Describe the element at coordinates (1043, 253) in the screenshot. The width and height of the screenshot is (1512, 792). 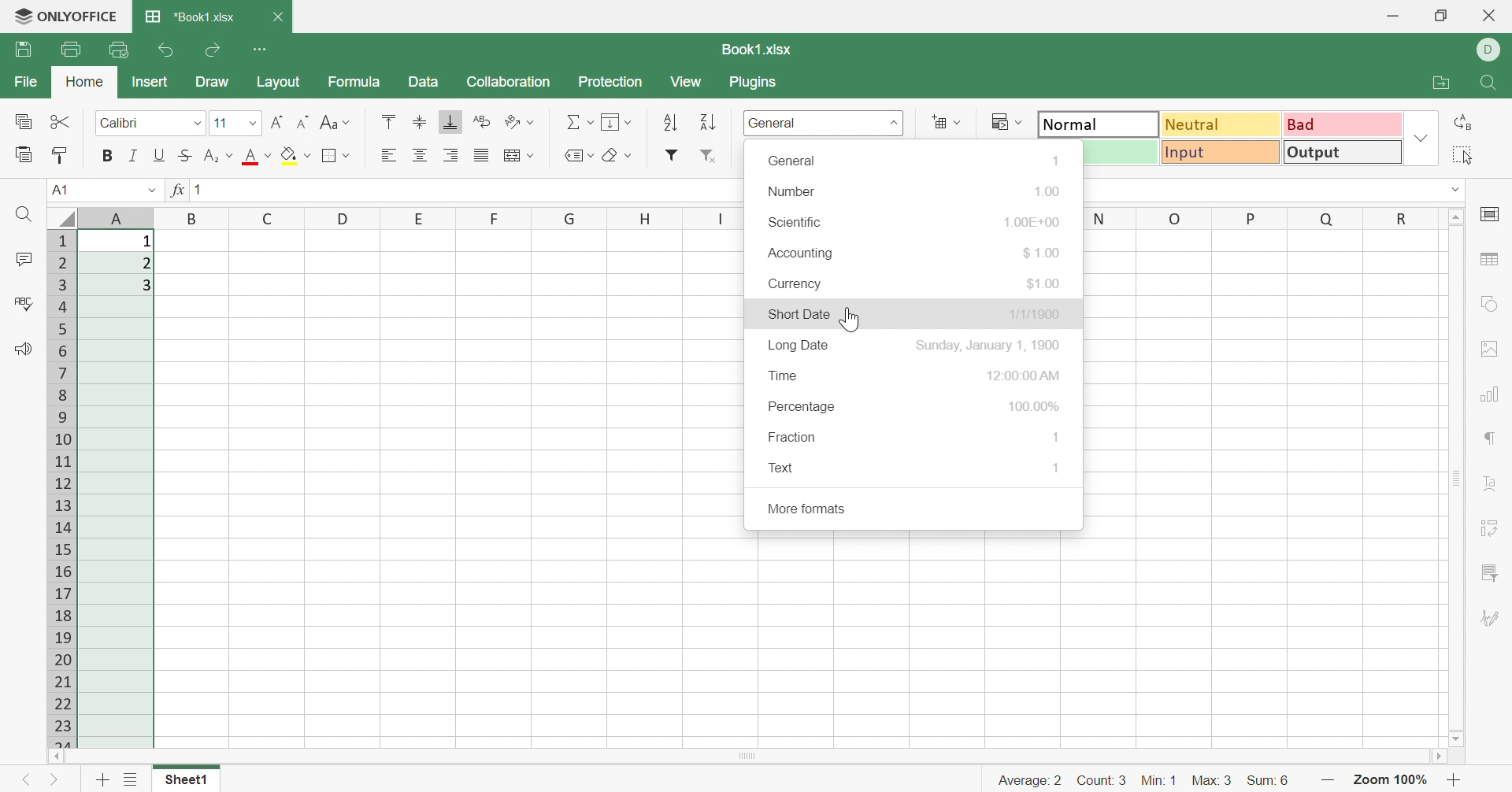
I see `$1:00` at that location.